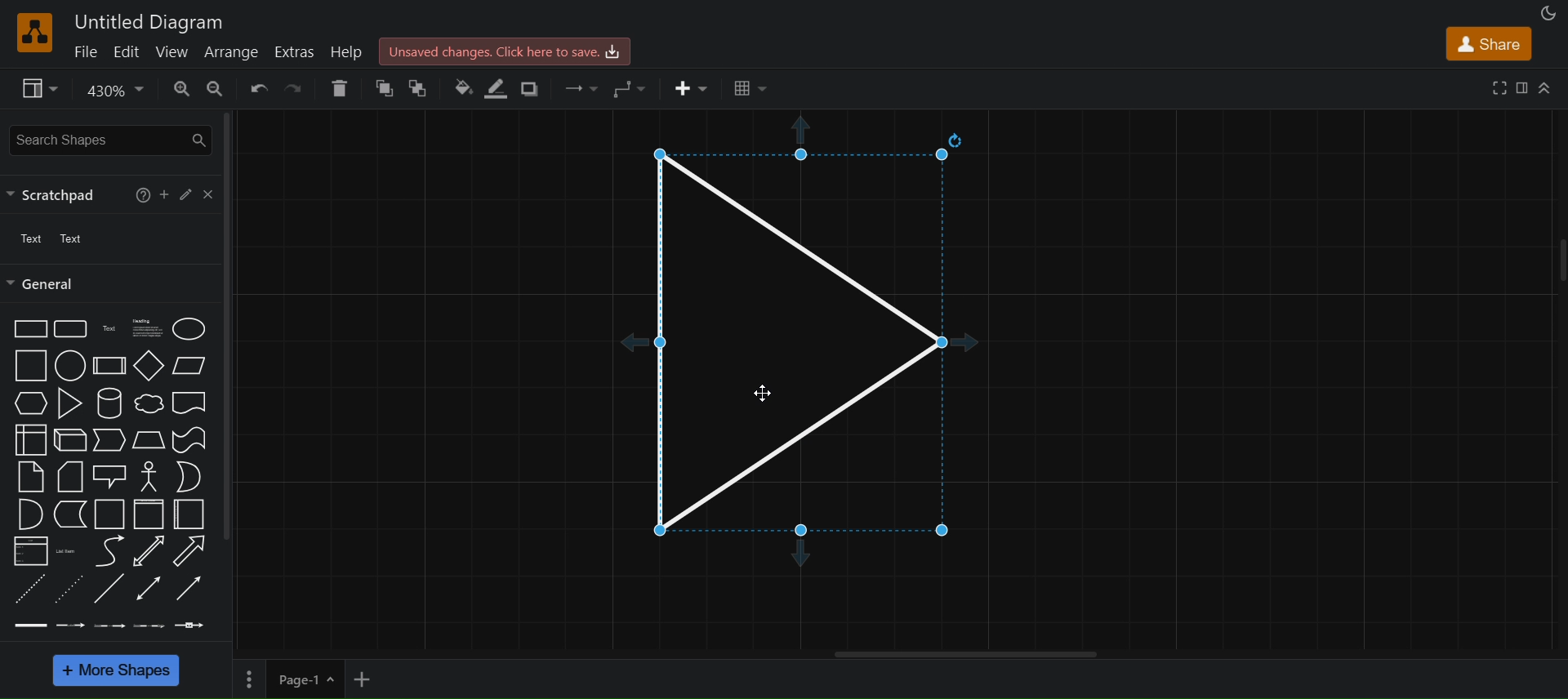 Image resolution: width=1568 pixels, height=699 pixels. What do you see at coordinates (461, 84) in the screenshot?
I see `fill color` at bounding box center [461, 84].